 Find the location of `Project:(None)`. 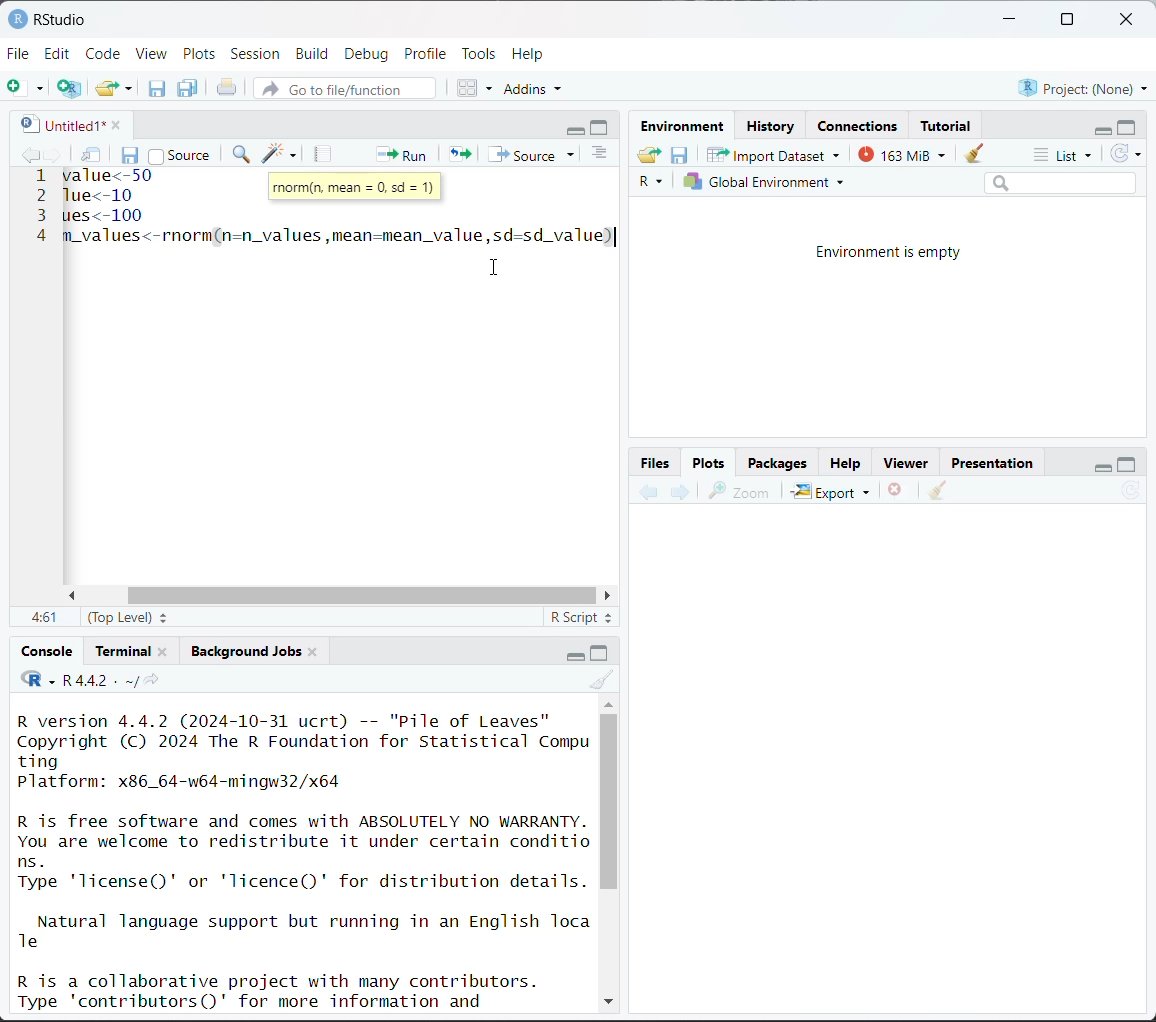

Project:(None) is located at coordinates (1082, 86).